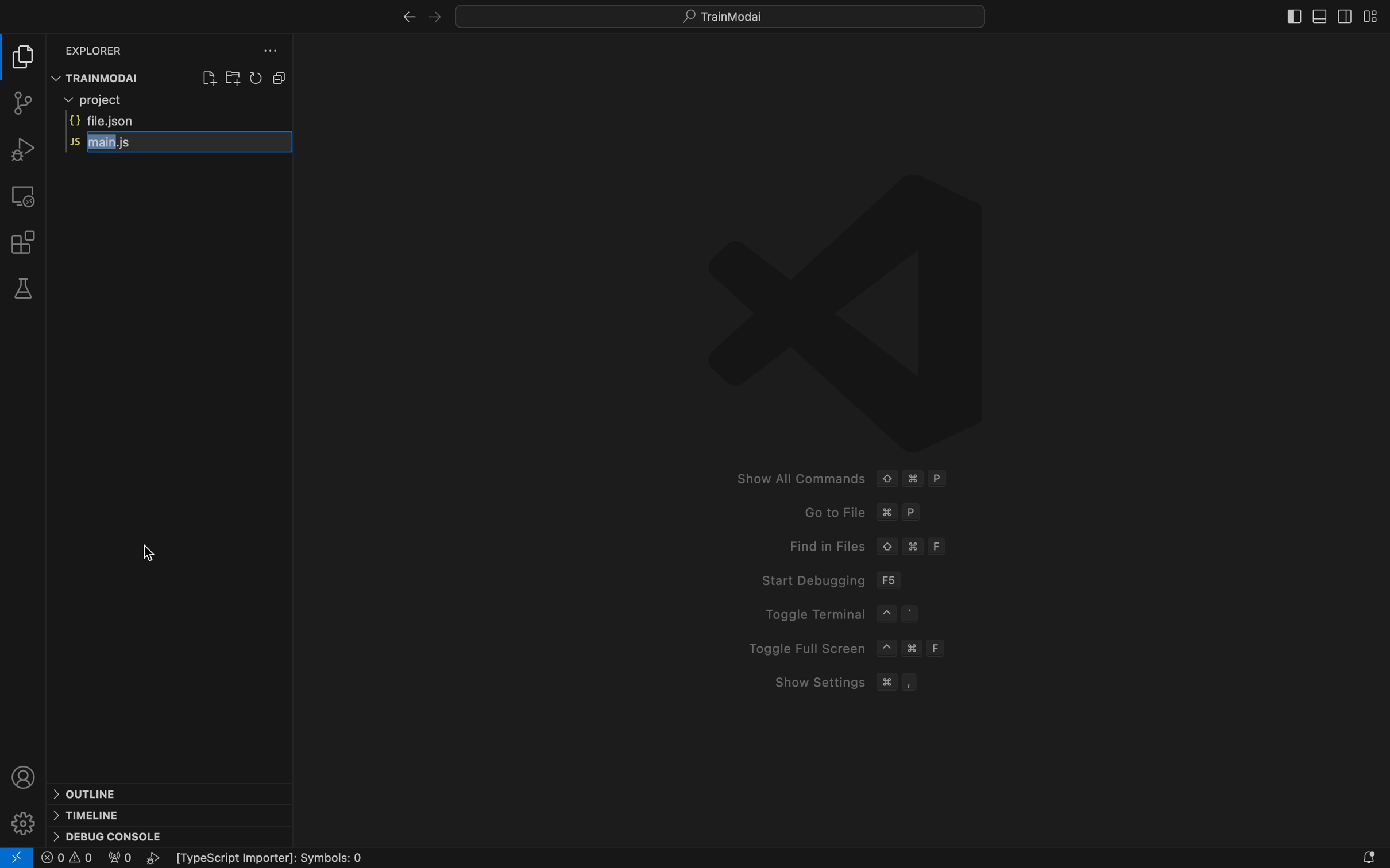  I want to click on file explorer setting, so click(266, 50).